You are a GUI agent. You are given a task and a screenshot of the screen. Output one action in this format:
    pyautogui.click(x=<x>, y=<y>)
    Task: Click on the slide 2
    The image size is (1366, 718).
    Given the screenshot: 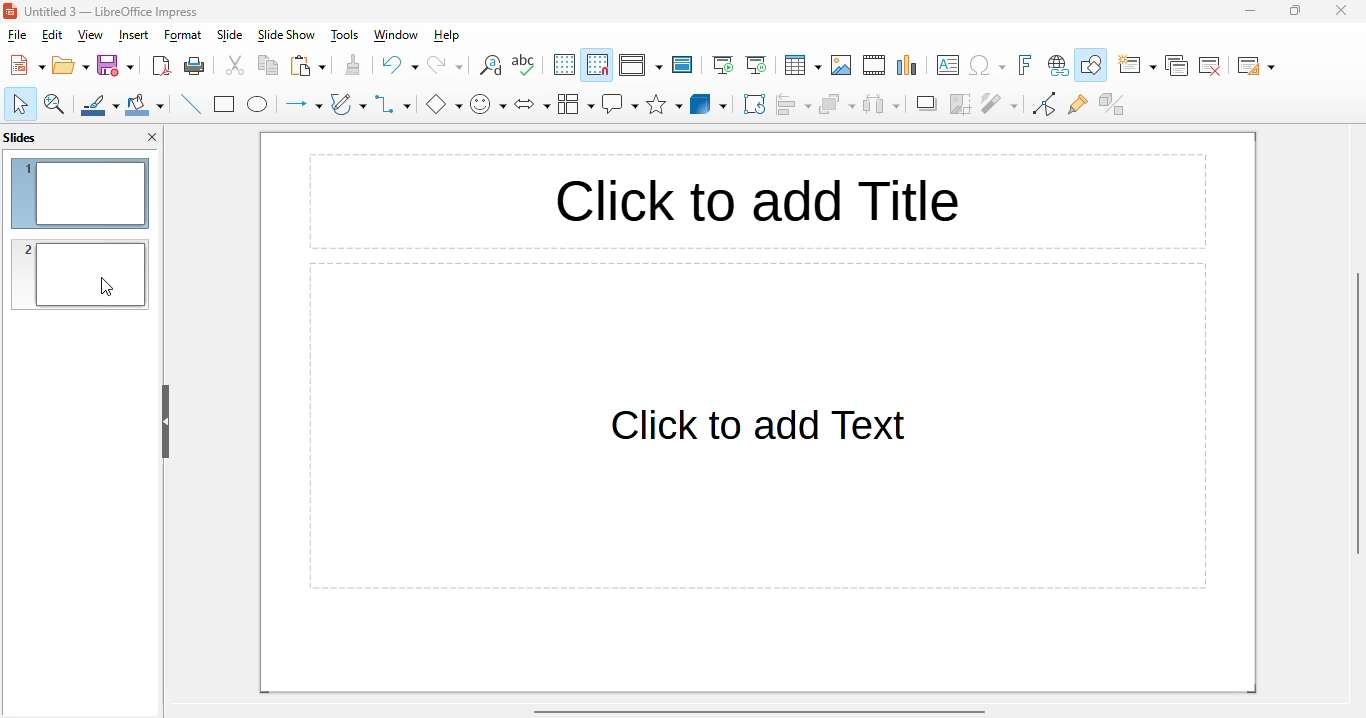 What is the action you would take?
    pyautogui.click(x=80, y=274)
    